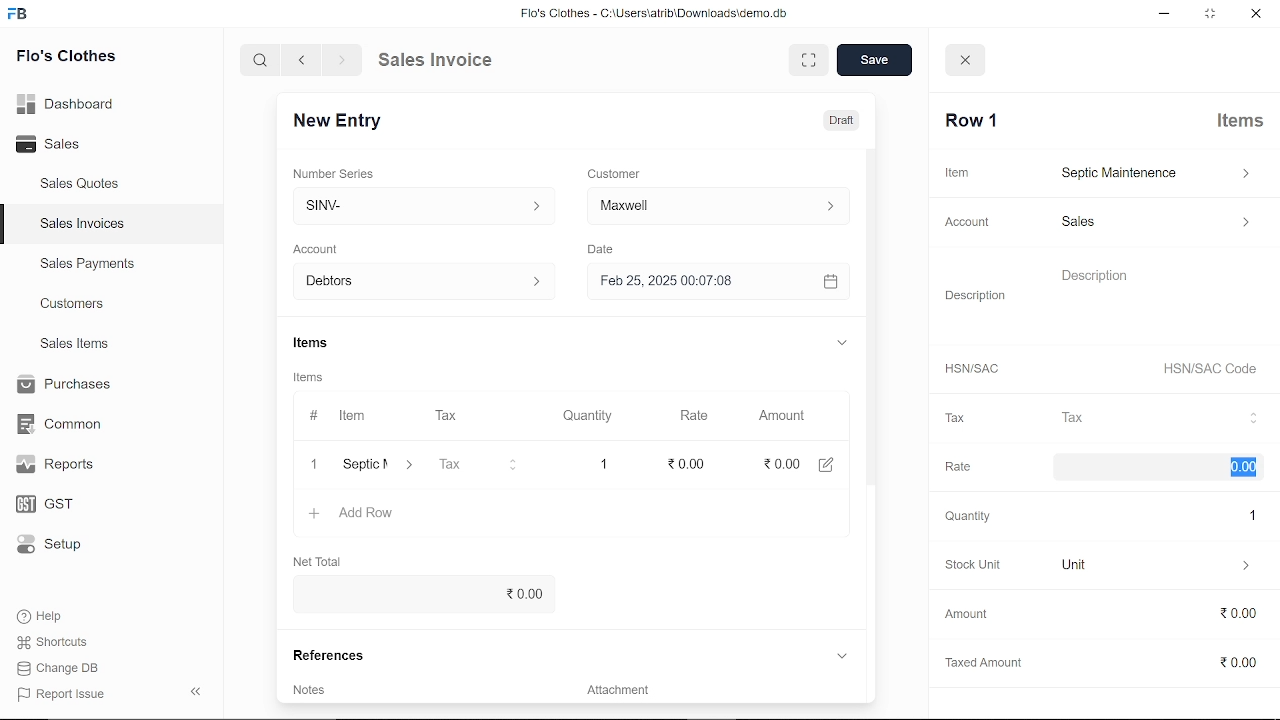 The image size is (1280, 720). I want to click on Row 1, so click(973, 121).